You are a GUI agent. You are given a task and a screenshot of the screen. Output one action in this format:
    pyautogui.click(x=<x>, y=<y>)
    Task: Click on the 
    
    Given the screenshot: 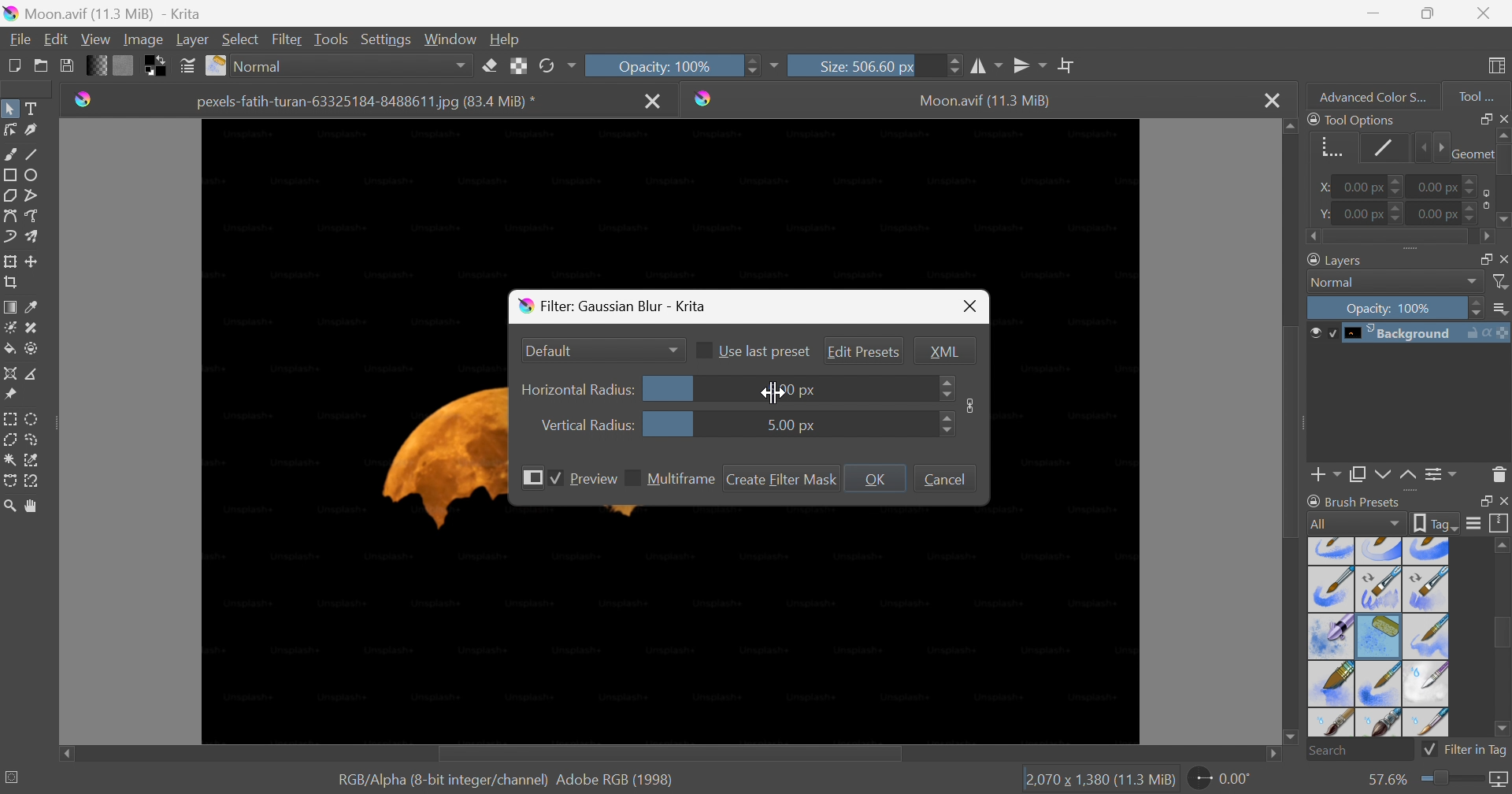 What is the action you would take?
    pyautogui.click(x=1377, y=13)
    